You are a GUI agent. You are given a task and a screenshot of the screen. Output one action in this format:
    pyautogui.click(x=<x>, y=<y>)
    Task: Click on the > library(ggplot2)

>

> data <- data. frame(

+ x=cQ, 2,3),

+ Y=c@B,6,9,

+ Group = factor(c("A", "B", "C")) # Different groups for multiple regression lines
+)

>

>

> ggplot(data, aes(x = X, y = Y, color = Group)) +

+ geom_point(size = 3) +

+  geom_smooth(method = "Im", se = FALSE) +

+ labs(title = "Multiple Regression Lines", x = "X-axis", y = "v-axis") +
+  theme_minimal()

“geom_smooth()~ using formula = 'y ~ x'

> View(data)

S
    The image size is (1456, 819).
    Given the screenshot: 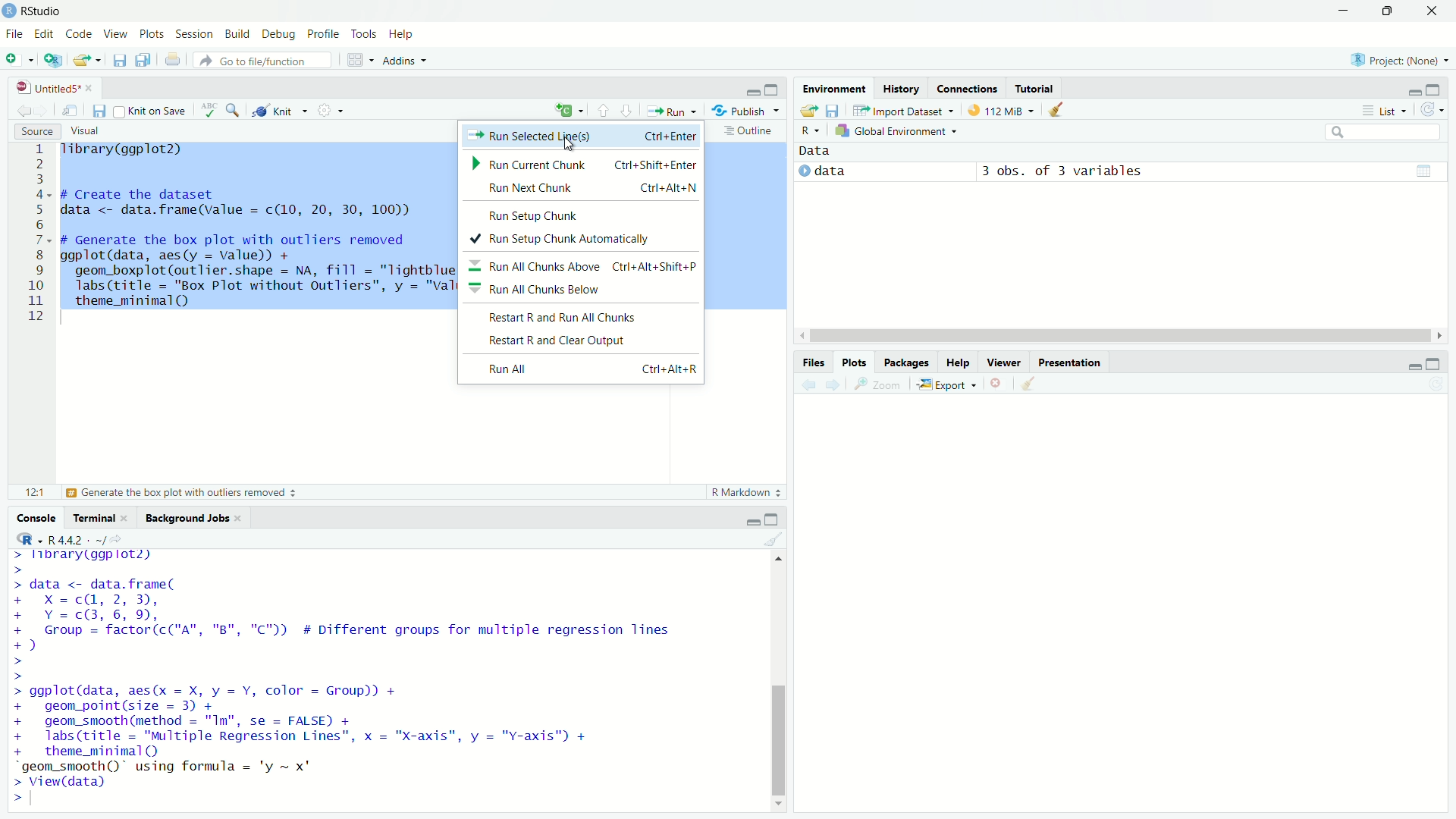 What is the action you would take?
    pyautogui.click(x=357, y=676)
    